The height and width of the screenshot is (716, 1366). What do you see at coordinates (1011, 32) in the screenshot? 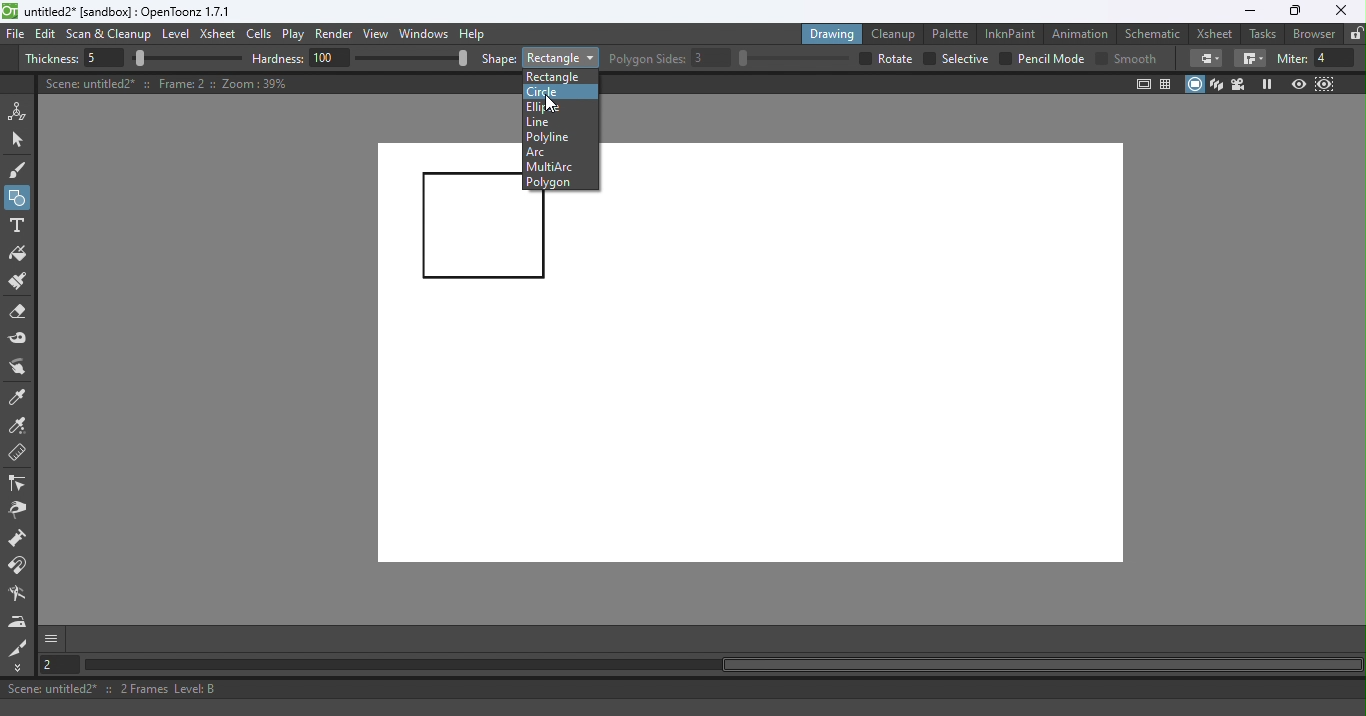
I see `InknPaint` at bounding box center [1011, 32].